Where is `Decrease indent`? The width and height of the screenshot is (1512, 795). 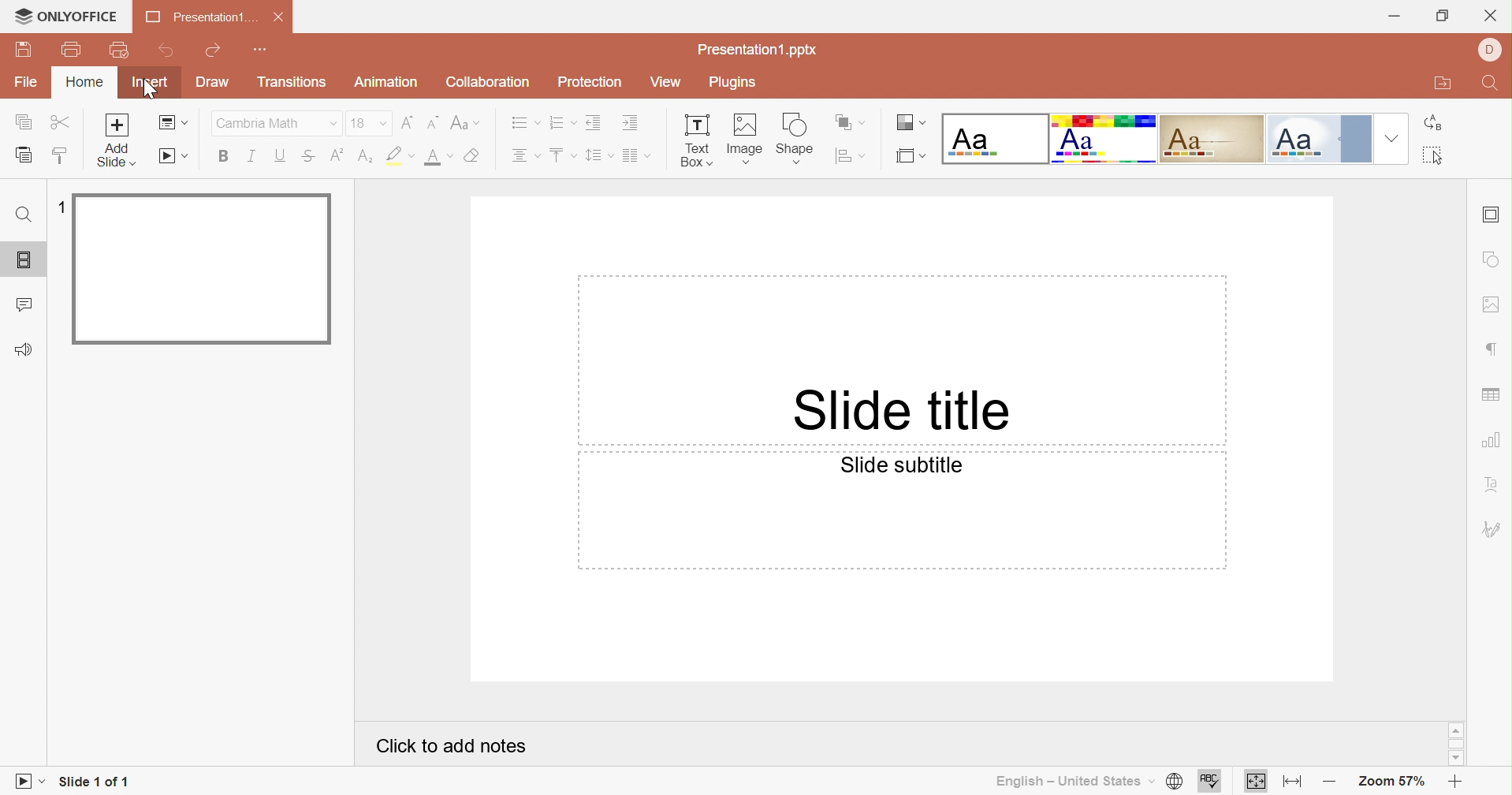 Decrease indent is located at coordinates (594, 123).